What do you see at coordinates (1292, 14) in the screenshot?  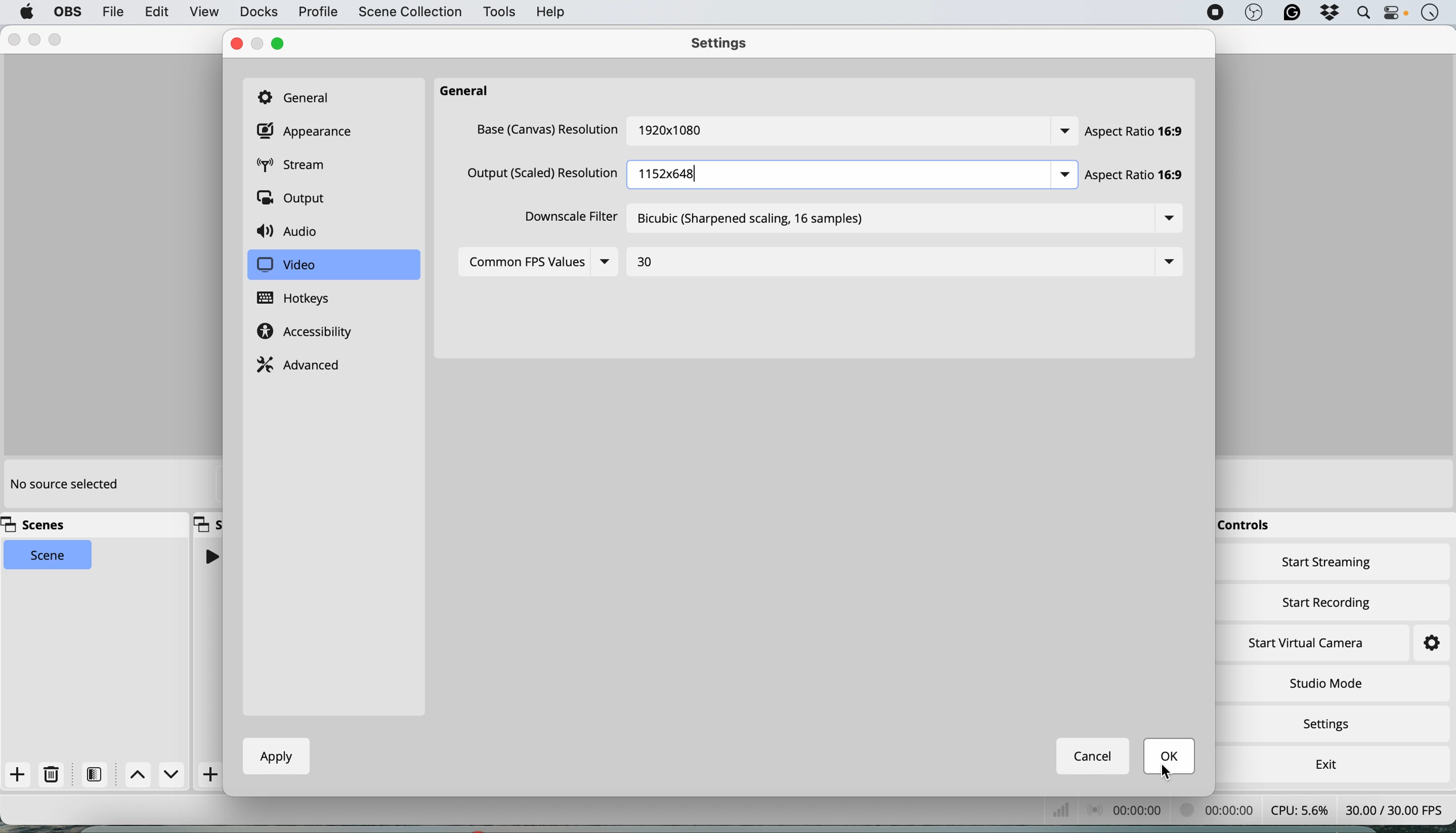 I see `grammarly` at bounding box center [1292, 14].